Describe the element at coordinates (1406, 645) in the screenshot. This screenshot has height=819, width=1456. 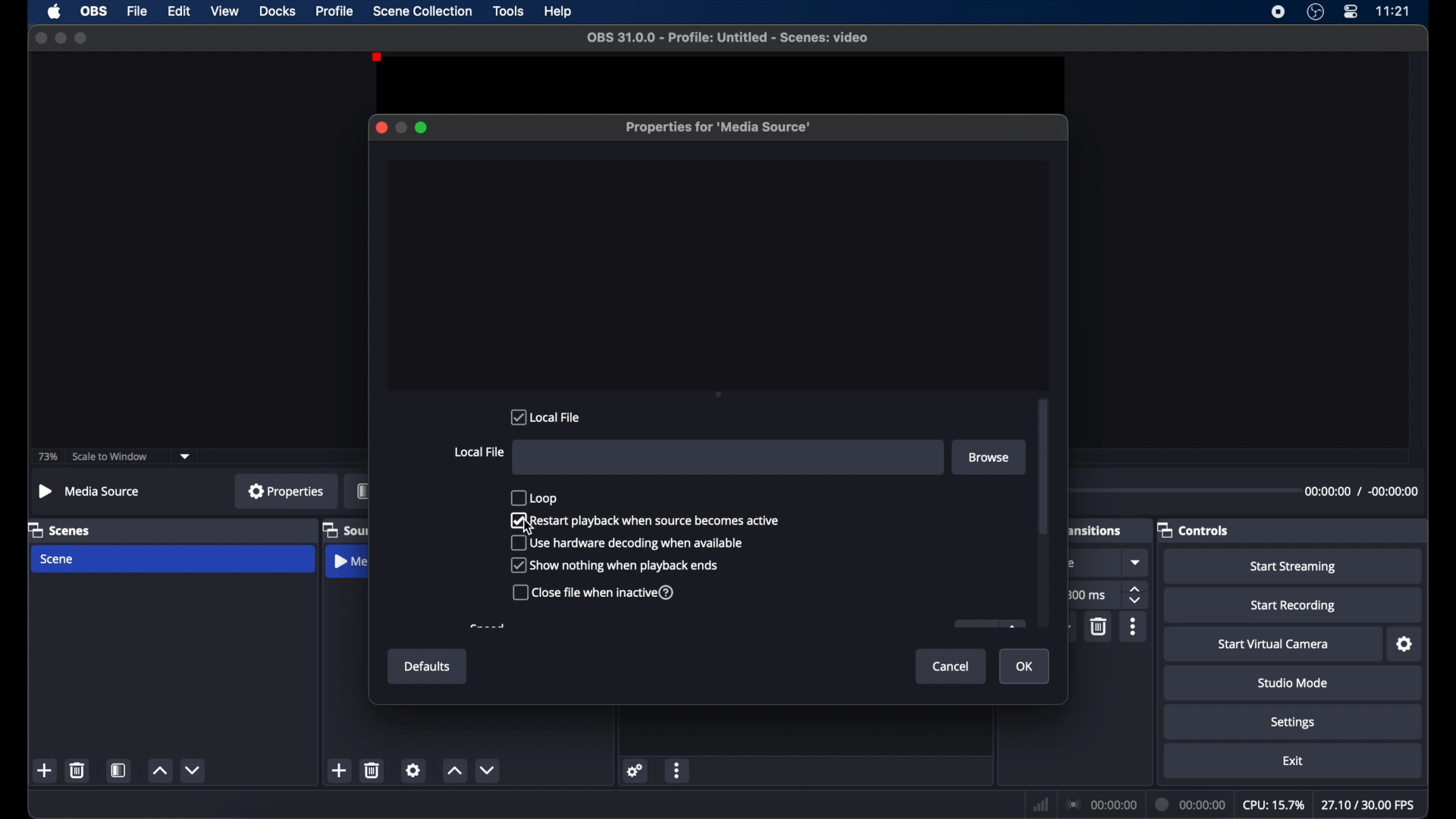
I see `settings` at that location.